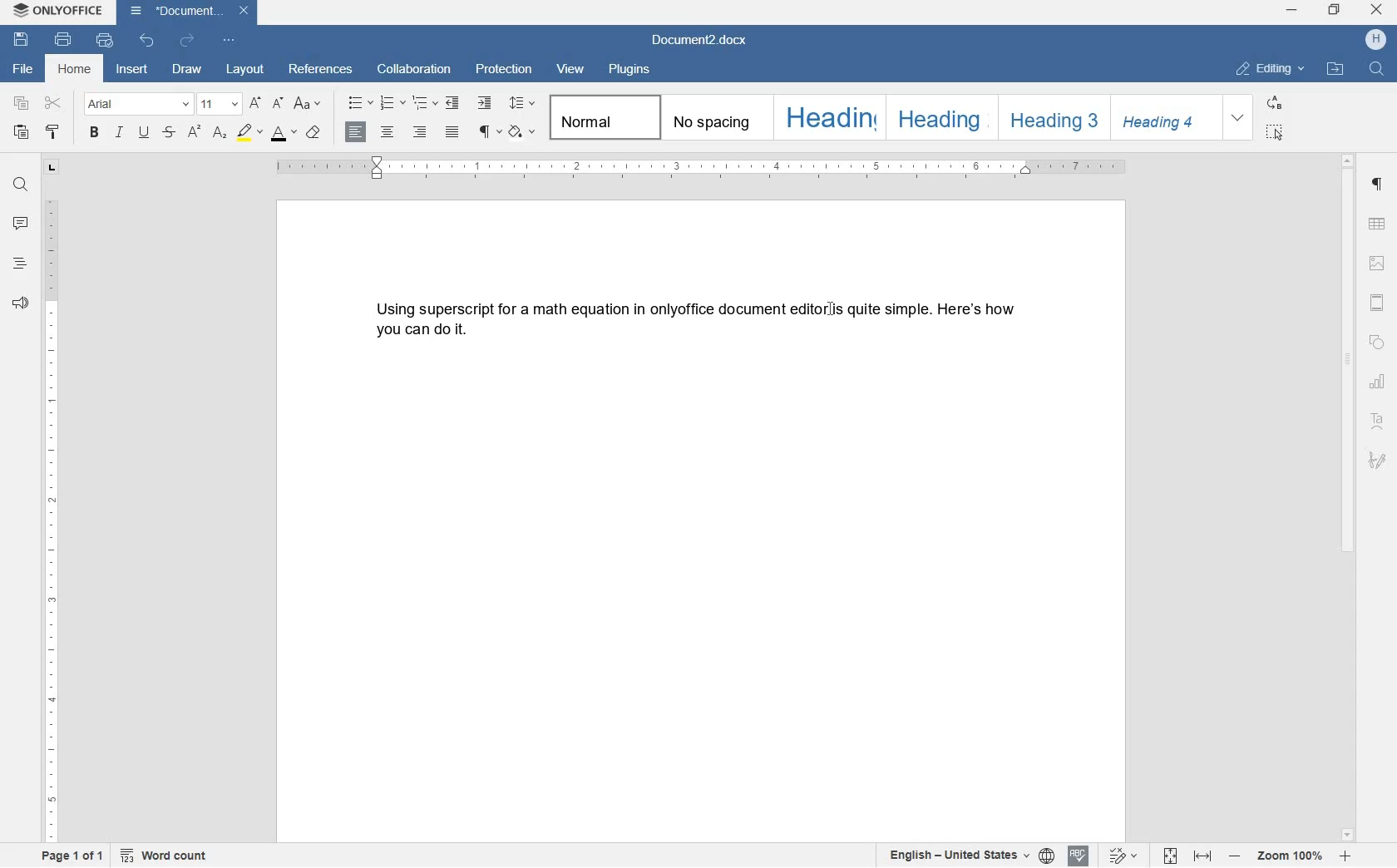 The height and width of the screenshot is (868, 1397). Describe the element at coordinates (120, 135) in the screenshot. I see `italic` at that location.